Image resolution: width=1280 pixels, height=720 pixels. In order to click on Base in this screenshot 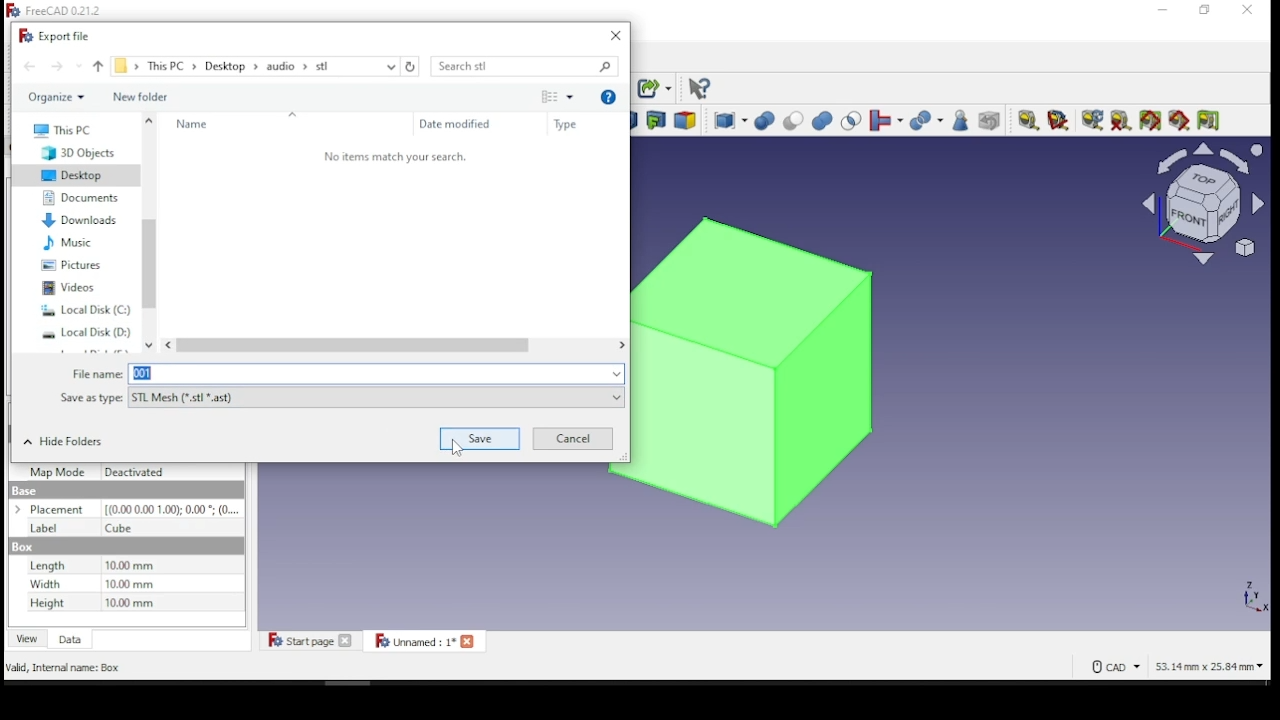, I will do `click(22, 548)`.